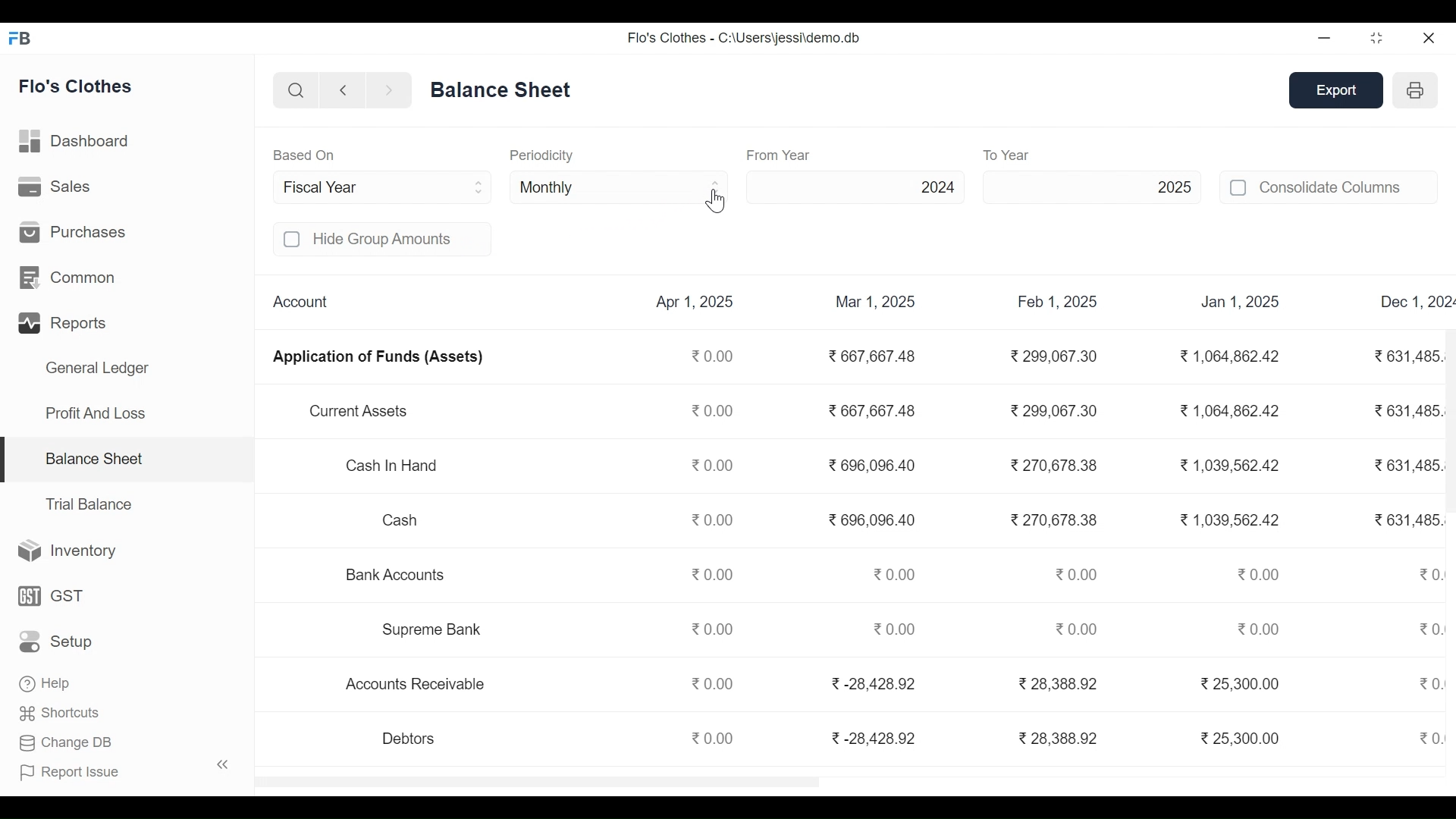 This screenshot has height=819, width=1456. What do you see at coordinates (1326, 37) in the screenshot?
I see `minimise` at bounding box center [1326, 37].